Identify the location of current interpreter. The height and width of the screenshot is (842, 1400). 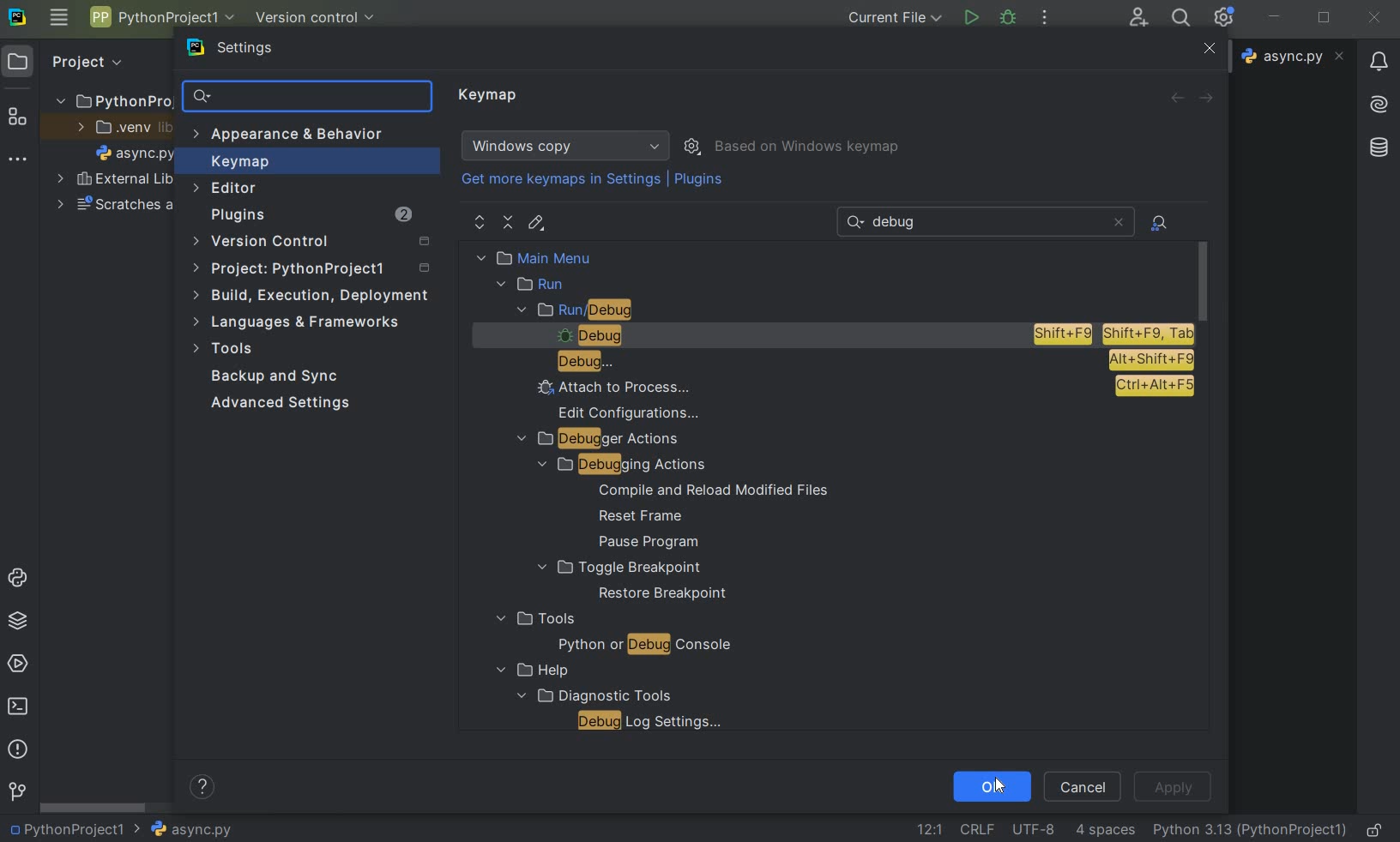
(1251, 829).